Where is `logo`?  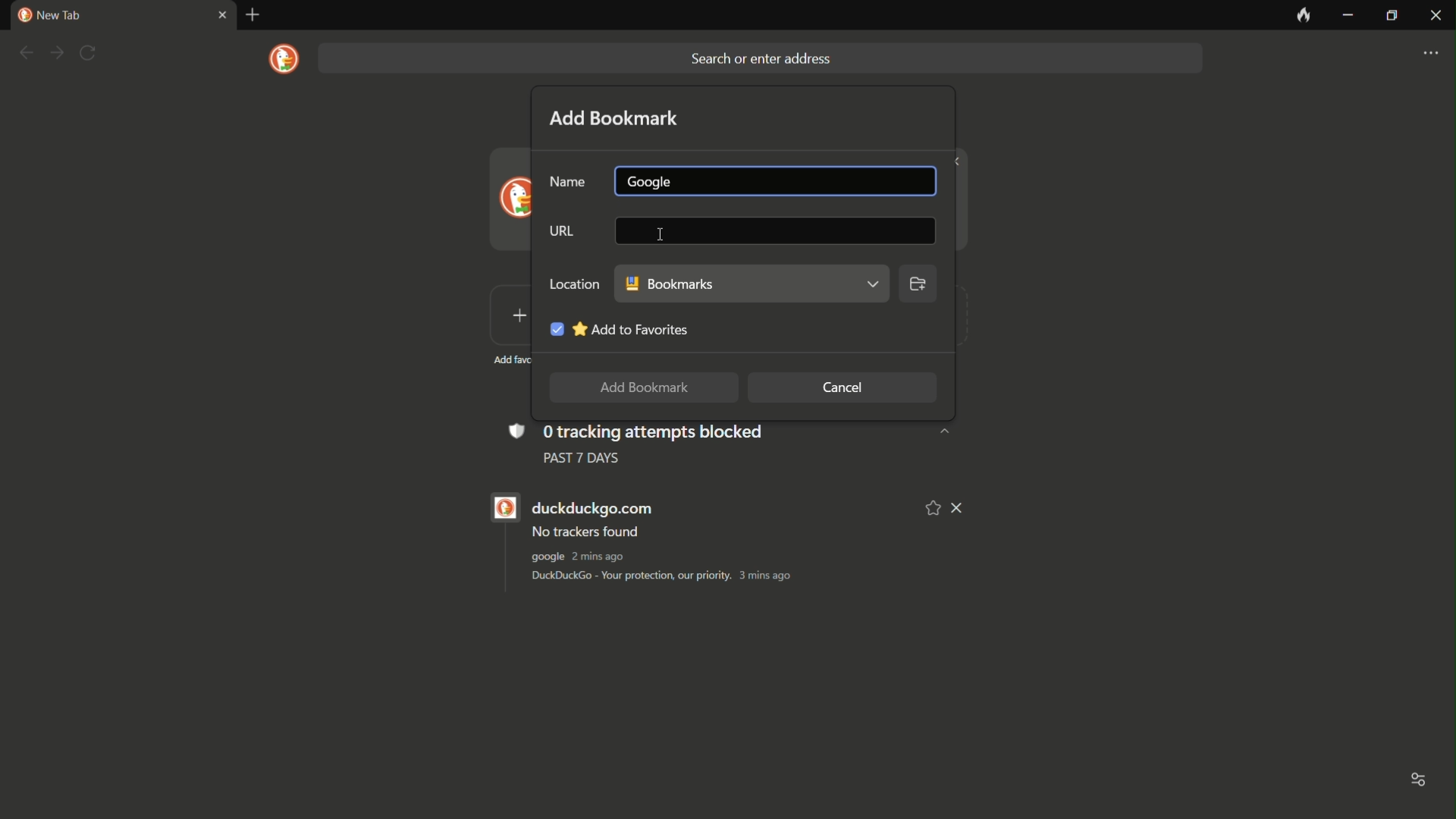
logo is located at coordinates (285, 59).